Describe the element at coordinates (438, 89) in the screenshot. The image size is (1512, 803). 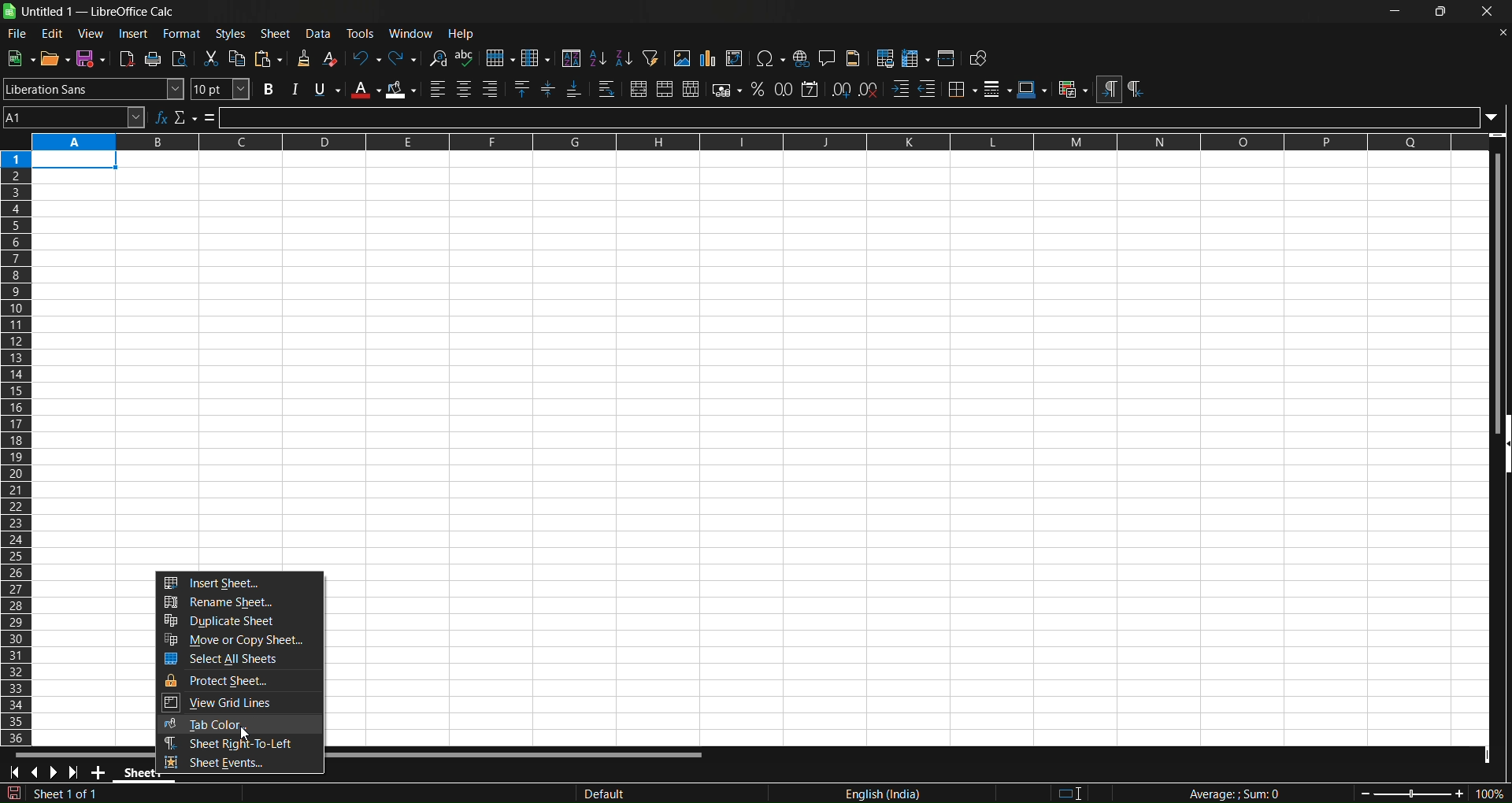
I see `align left` at that location.